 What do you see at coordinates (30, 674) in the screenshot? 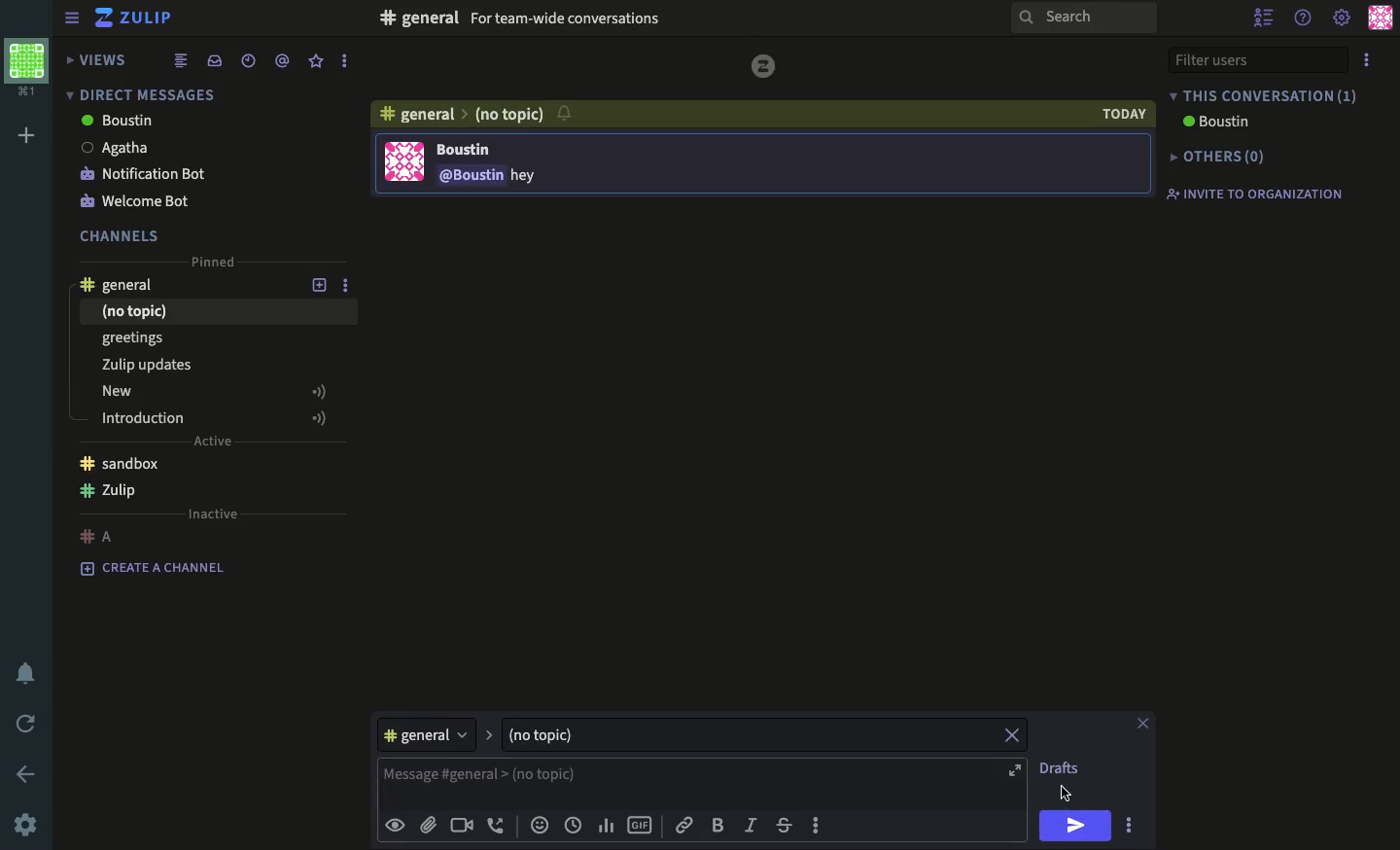
I see `notification` at bounding box center [30, 674].